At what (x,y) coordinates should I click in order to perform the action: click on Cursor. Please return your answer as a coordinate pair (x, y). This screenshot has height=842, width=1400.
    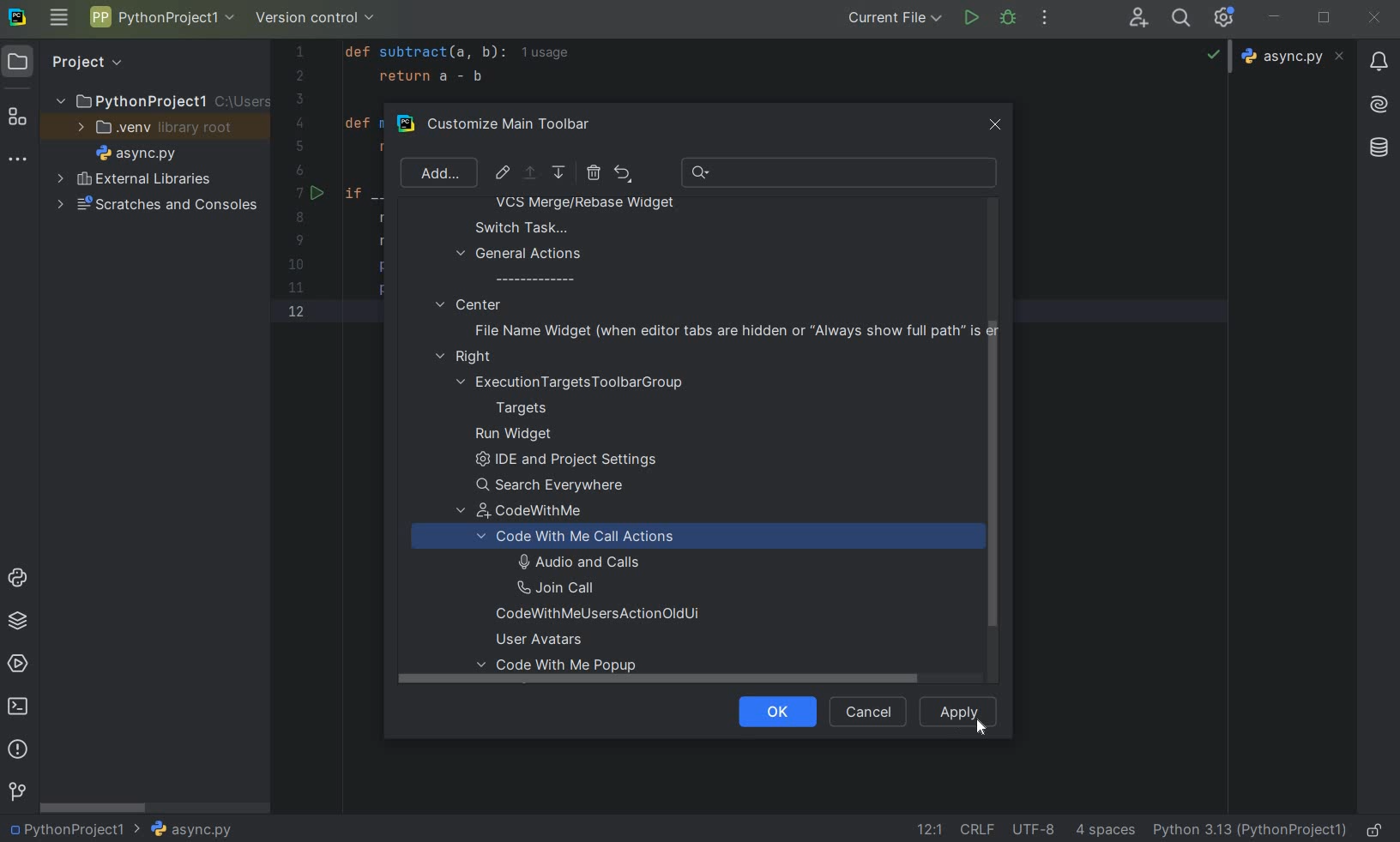
    Looking at the image, I should click on (979, 726).